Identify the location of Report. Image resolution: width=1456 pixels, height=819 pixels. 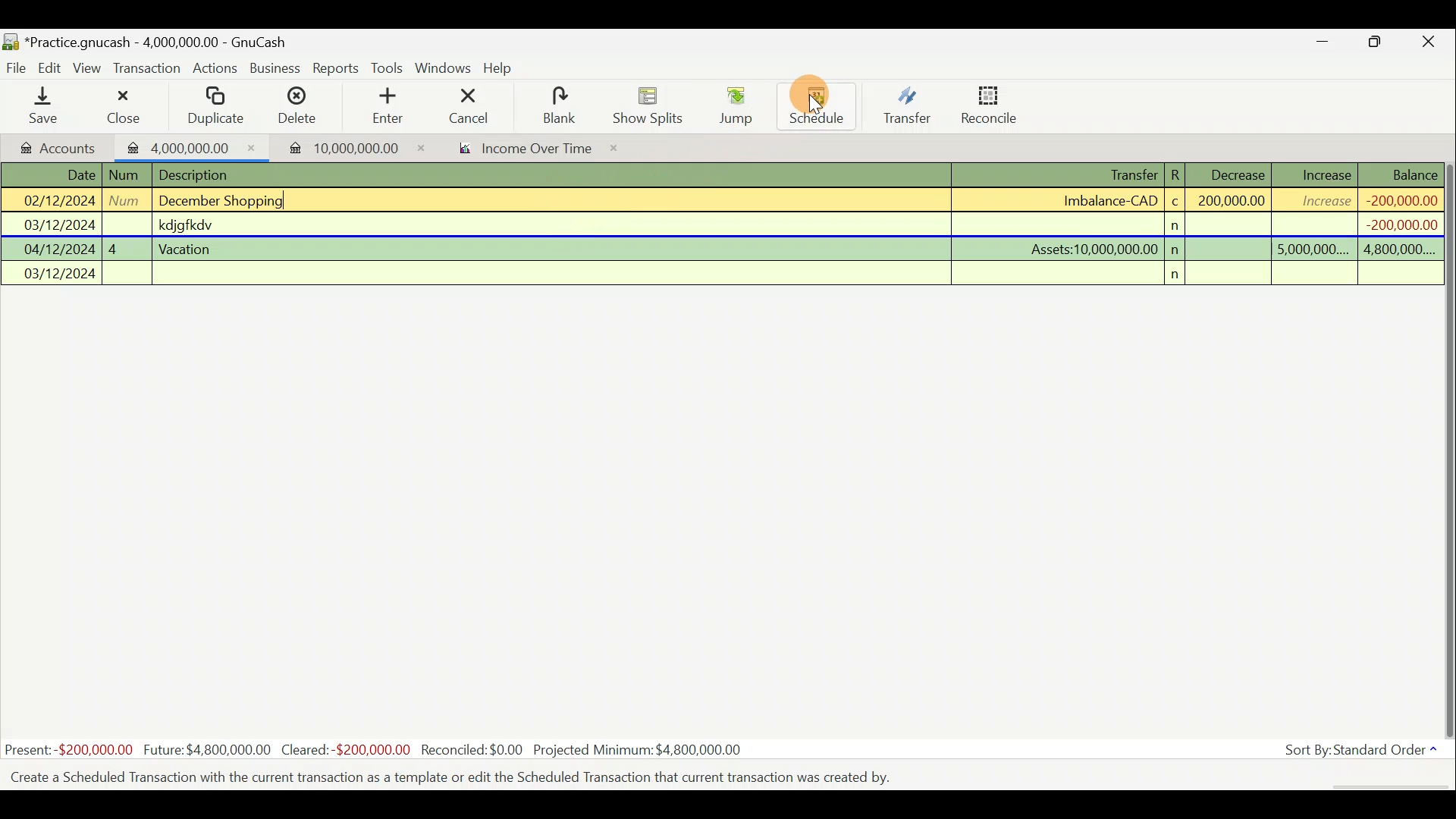
(520, 150).